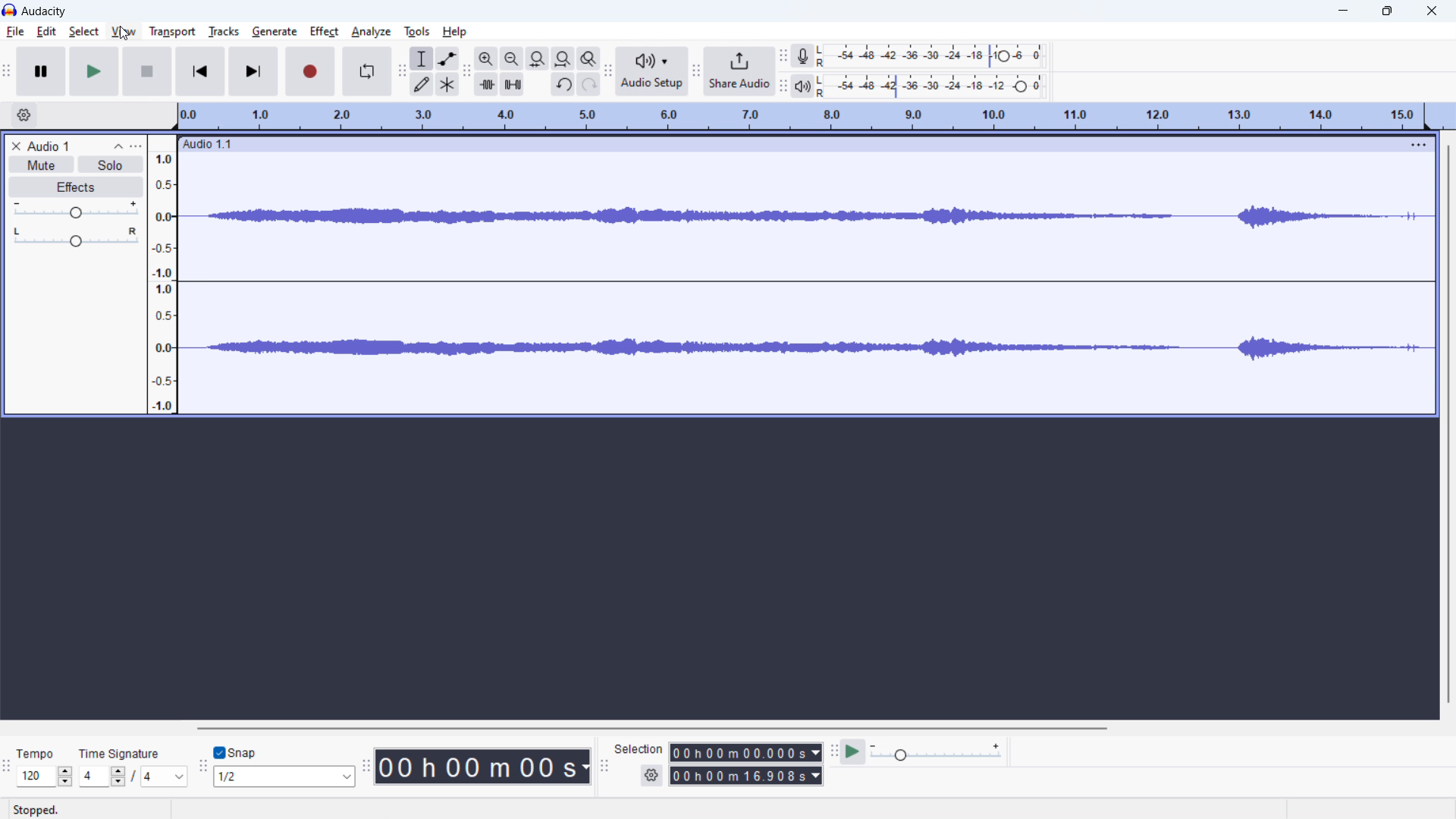 The height and width of the screenshot is (819, 1456). What do you see at coordinates (447, 84) in the screenshot?
I see `multi tool` at bounding box center [447, 84].